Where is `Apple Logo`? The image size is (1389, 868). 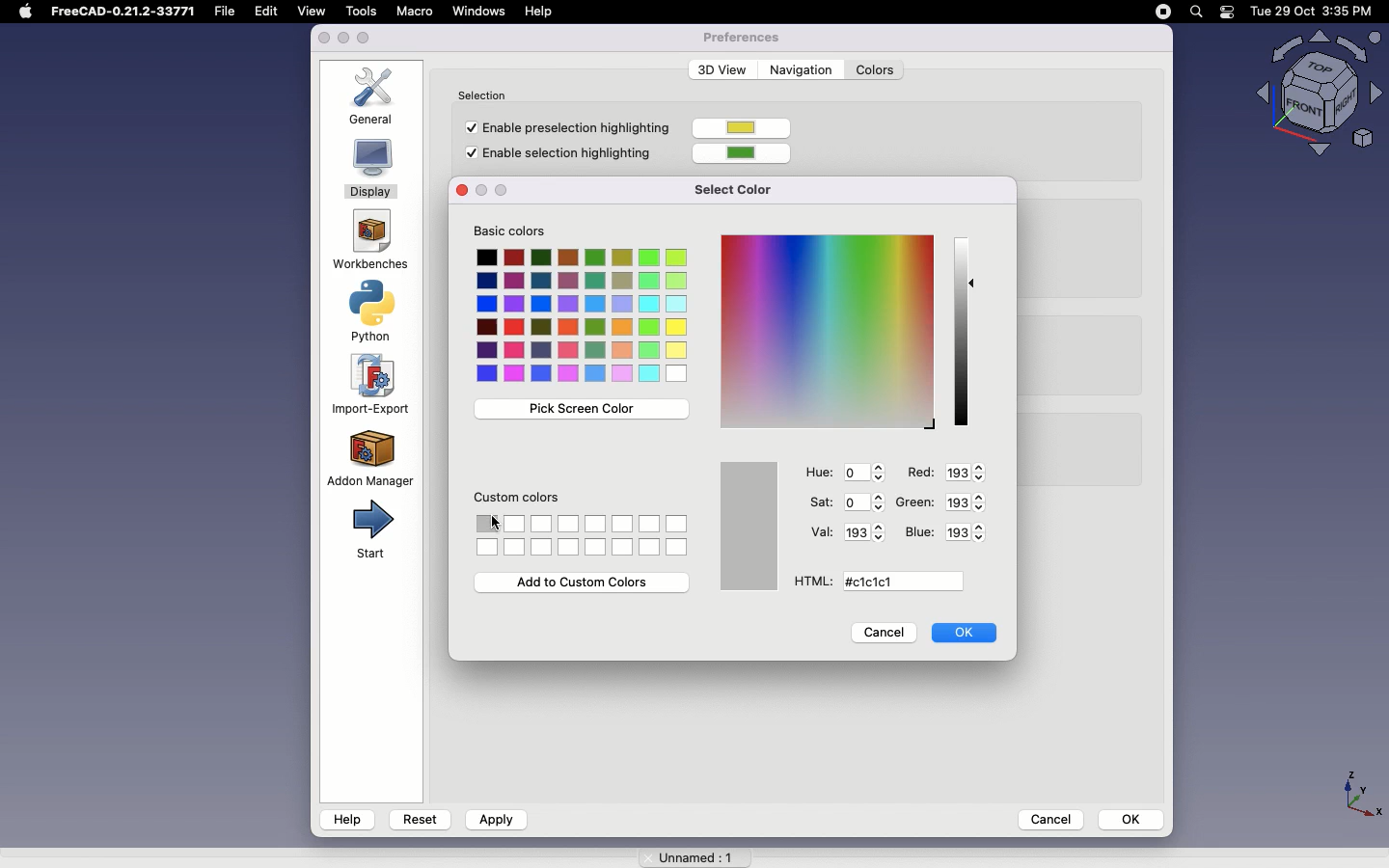 Apple Logo is located at coordinates (25, 12).